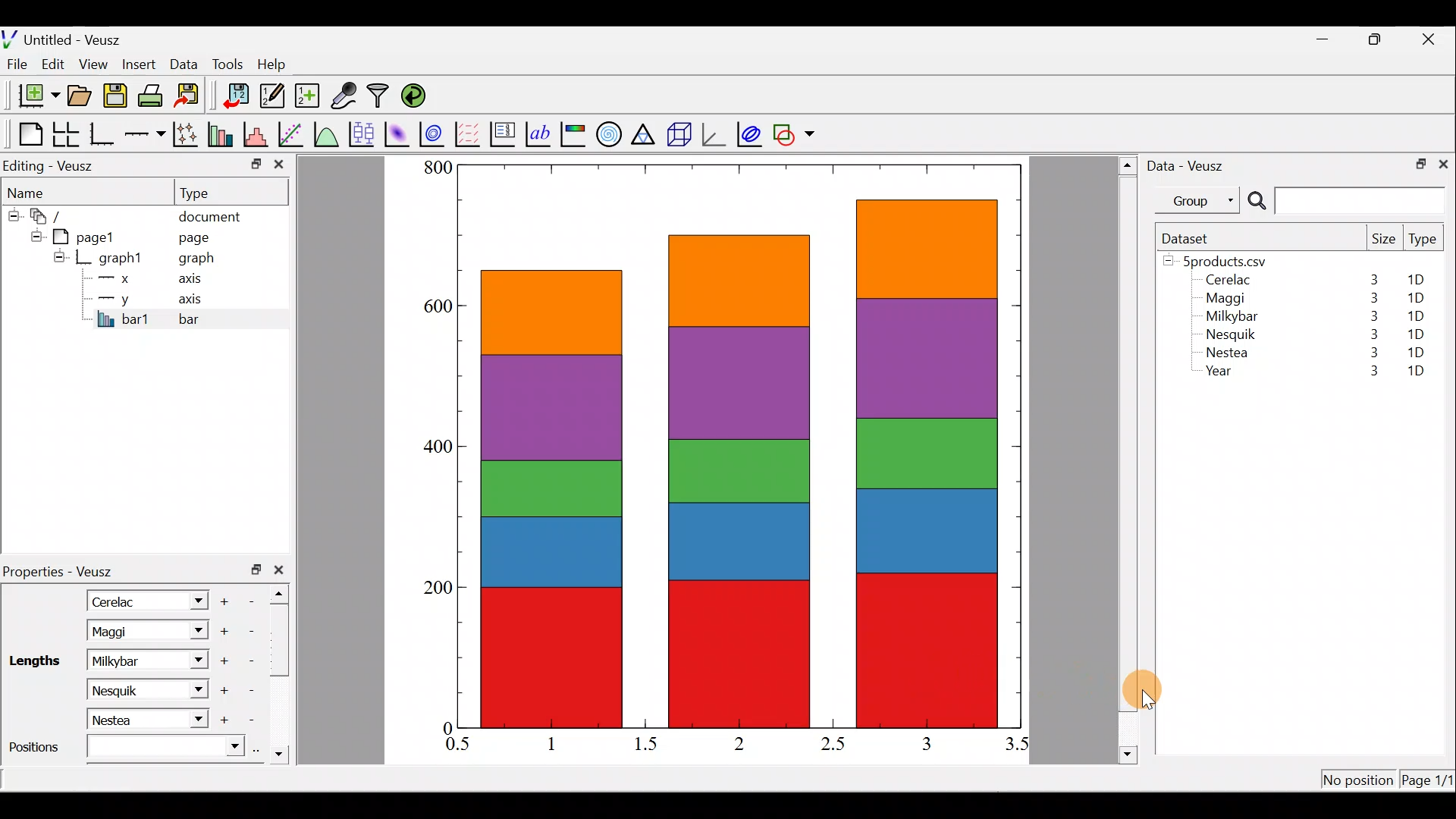 The height and width of the screenshot is (819, 1456). What do you see at coordinates (437, 167) in the screenshot?
I see `800` at bounding box center [437, 167].